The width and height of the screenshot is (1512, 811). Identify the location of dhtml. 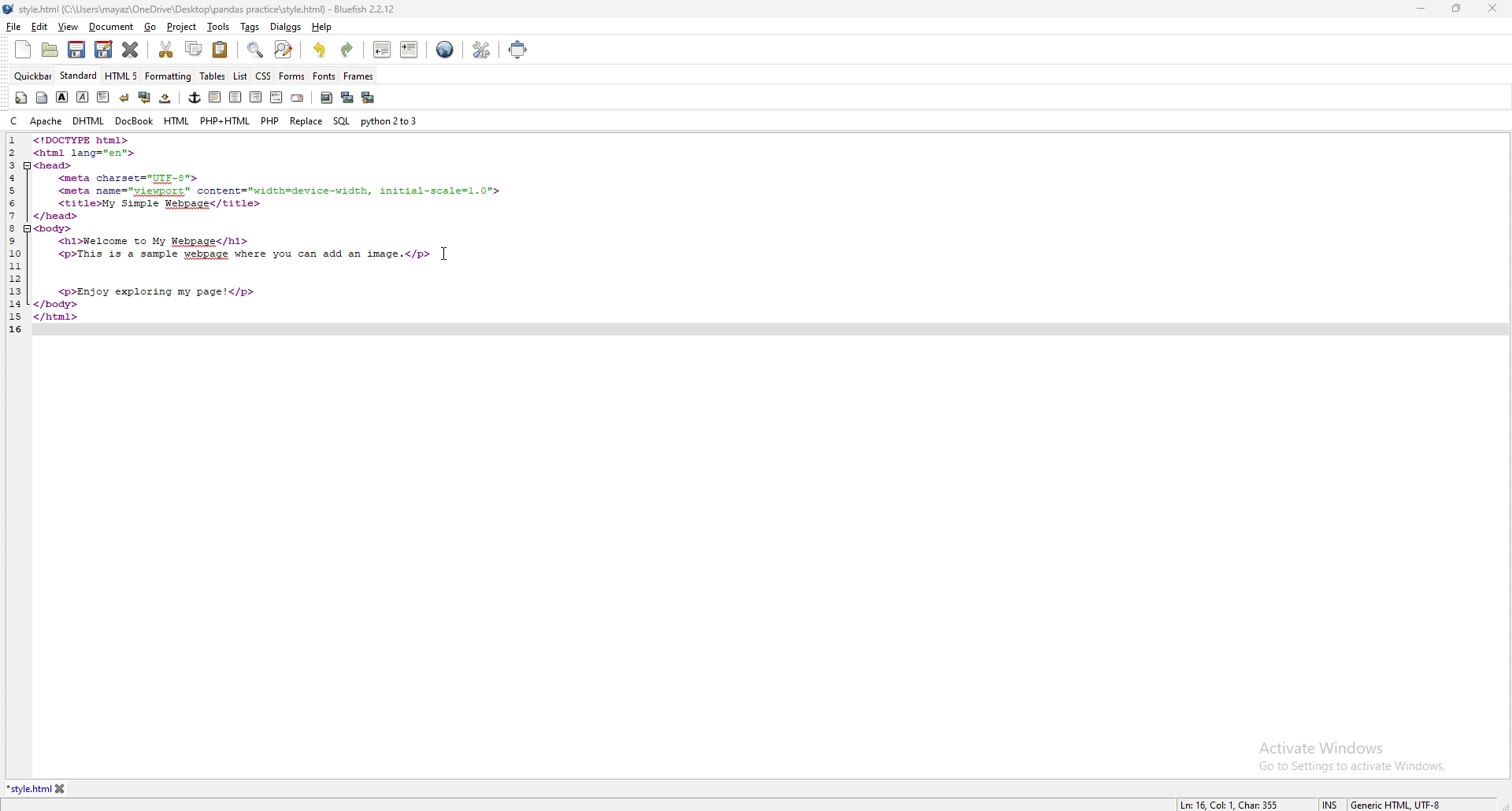
(89, 121).